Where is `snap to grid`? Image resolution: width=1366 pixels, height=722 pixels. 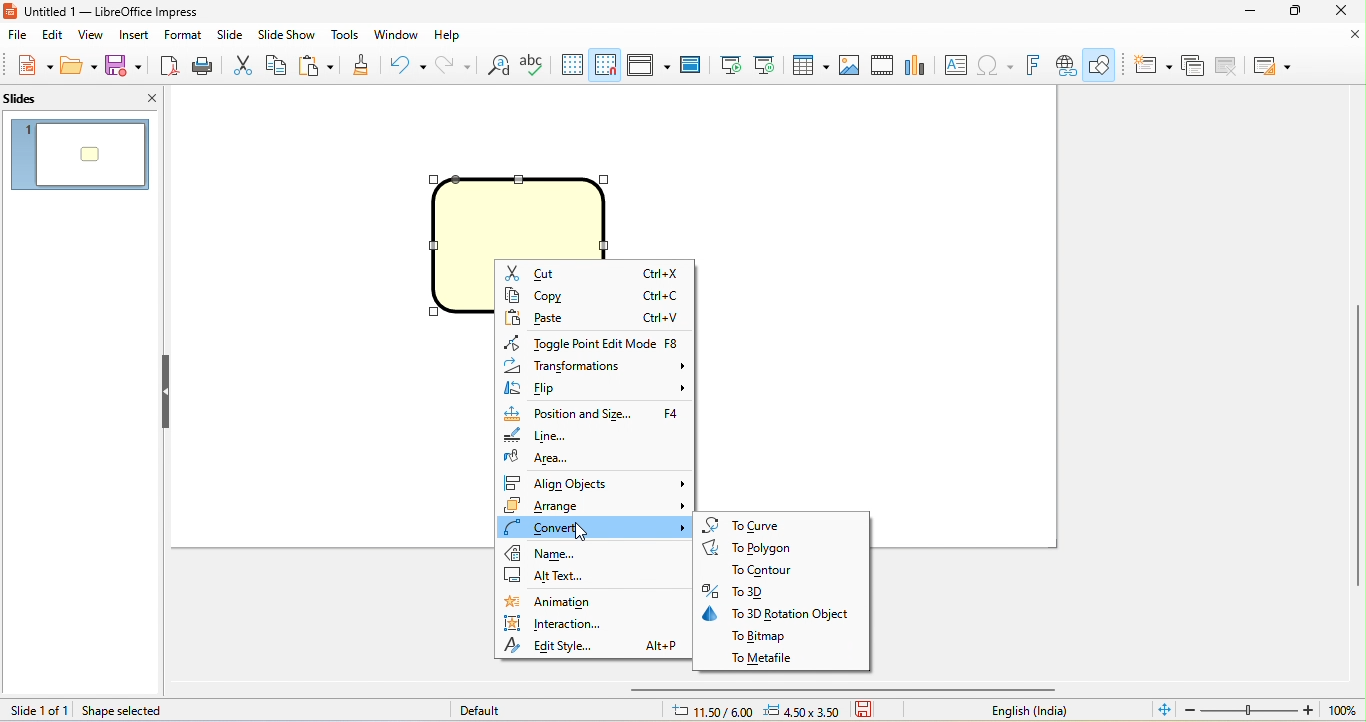 snap to grid is located at coordinates (607, 65).